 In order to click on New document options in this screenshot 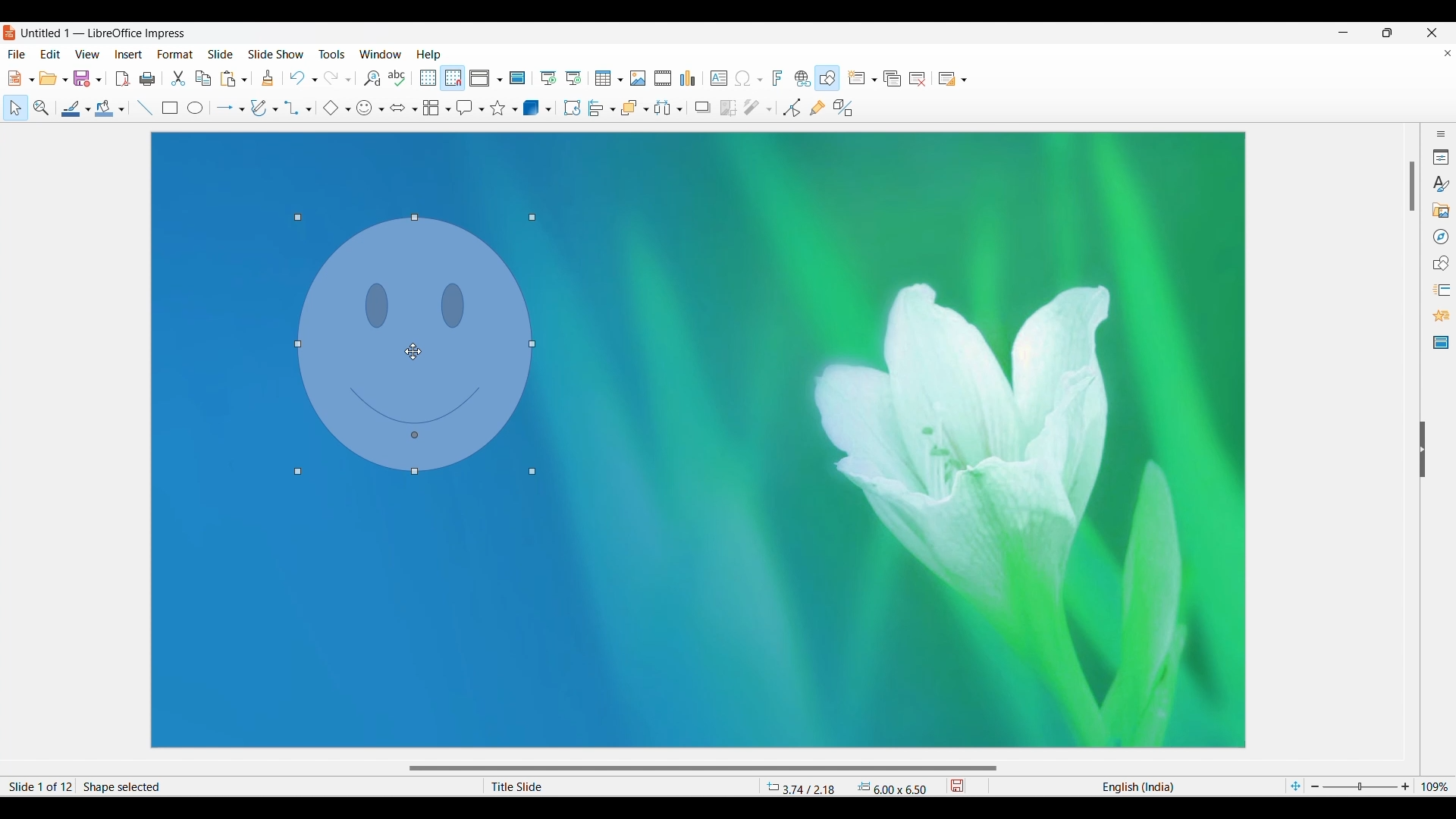, I will do `click(31, 80)`.